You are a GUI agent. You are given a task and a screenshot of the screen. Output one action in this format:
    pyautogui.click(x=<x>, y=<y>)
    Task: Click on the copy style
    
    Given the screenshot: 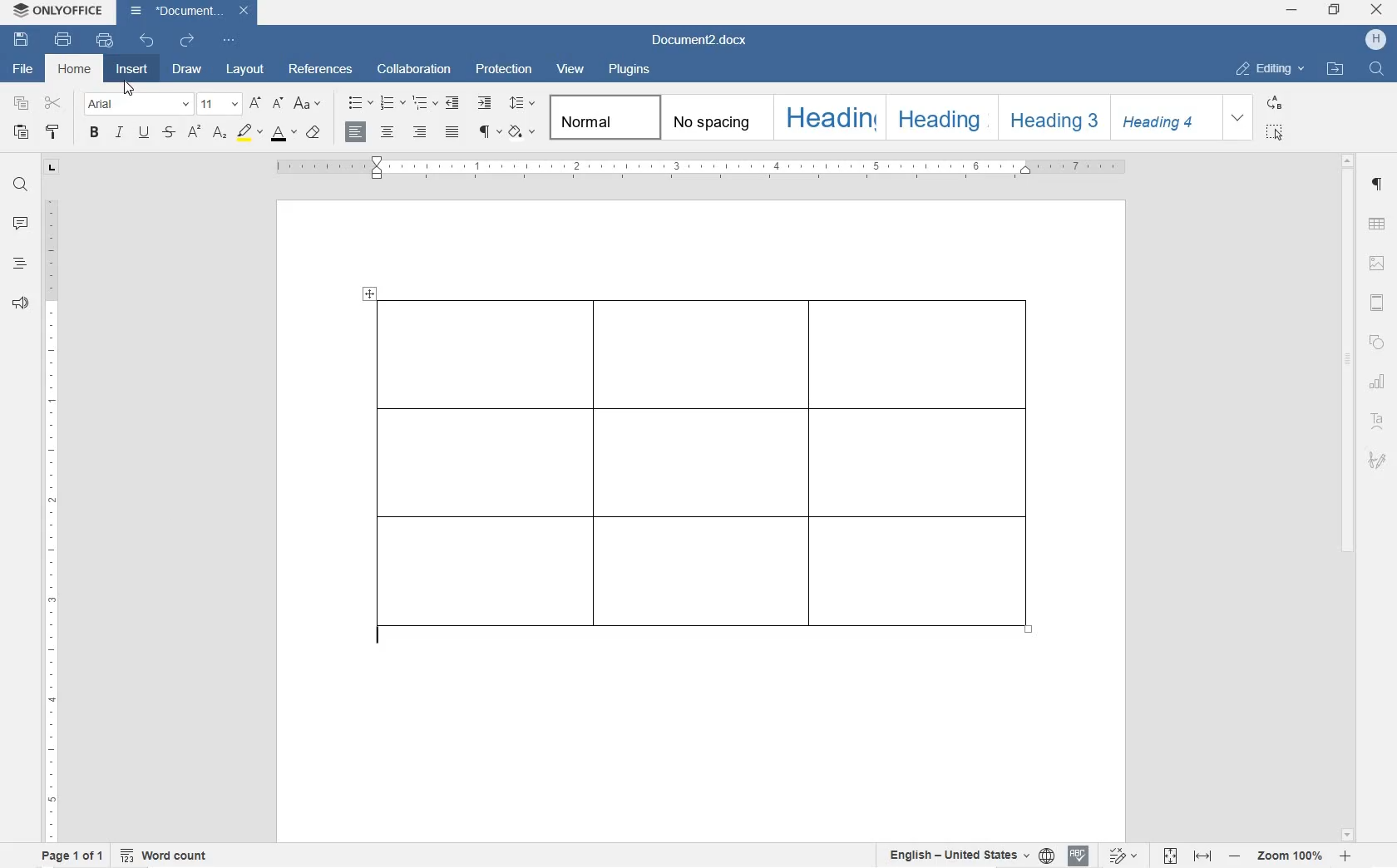 What is the action you would take?
    pyautogui.click(x=53, y=132)
    